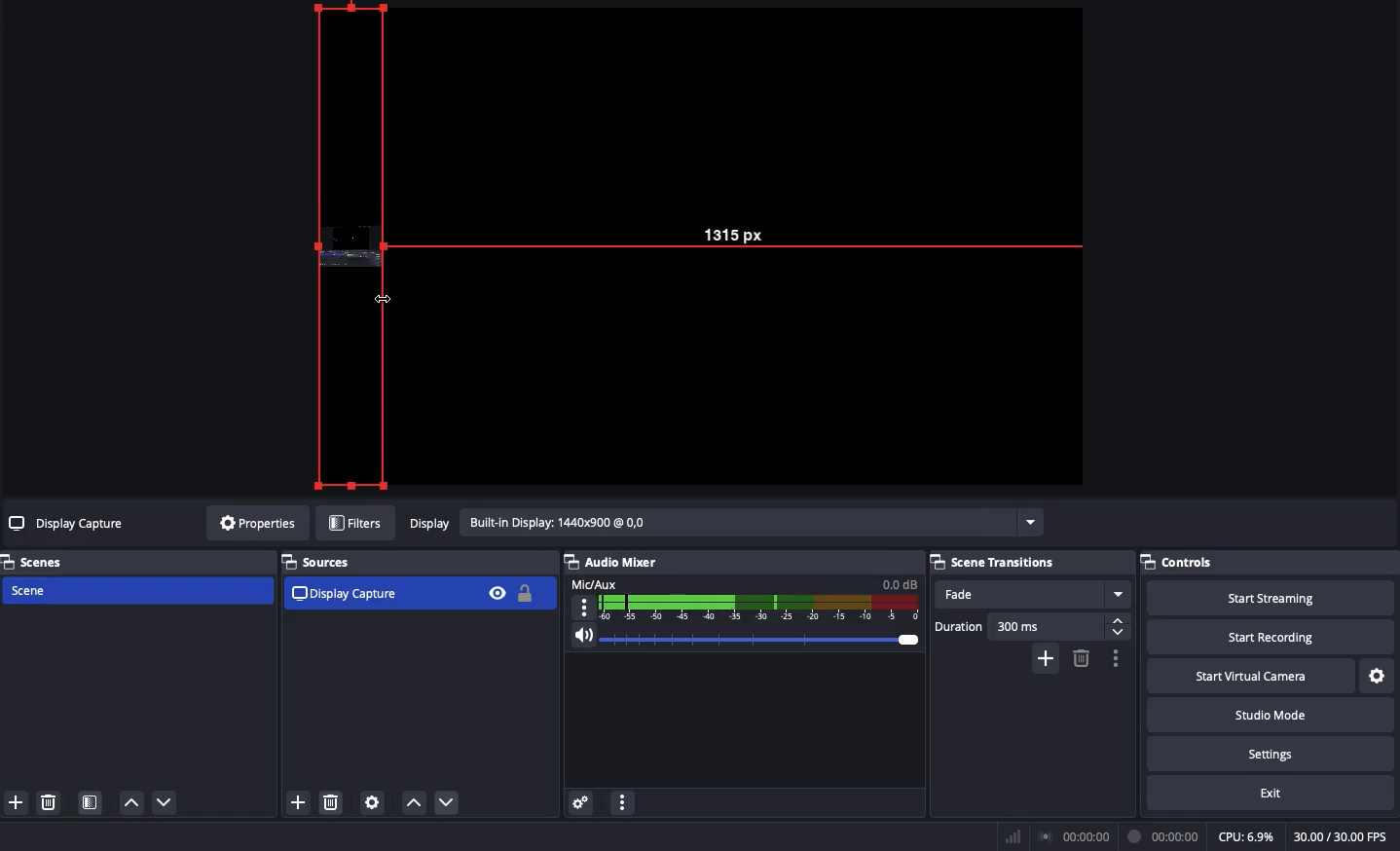 The width and height of the screenshot is (1400, 851). I want to click on Advanced audio properties, so click(580, 804).